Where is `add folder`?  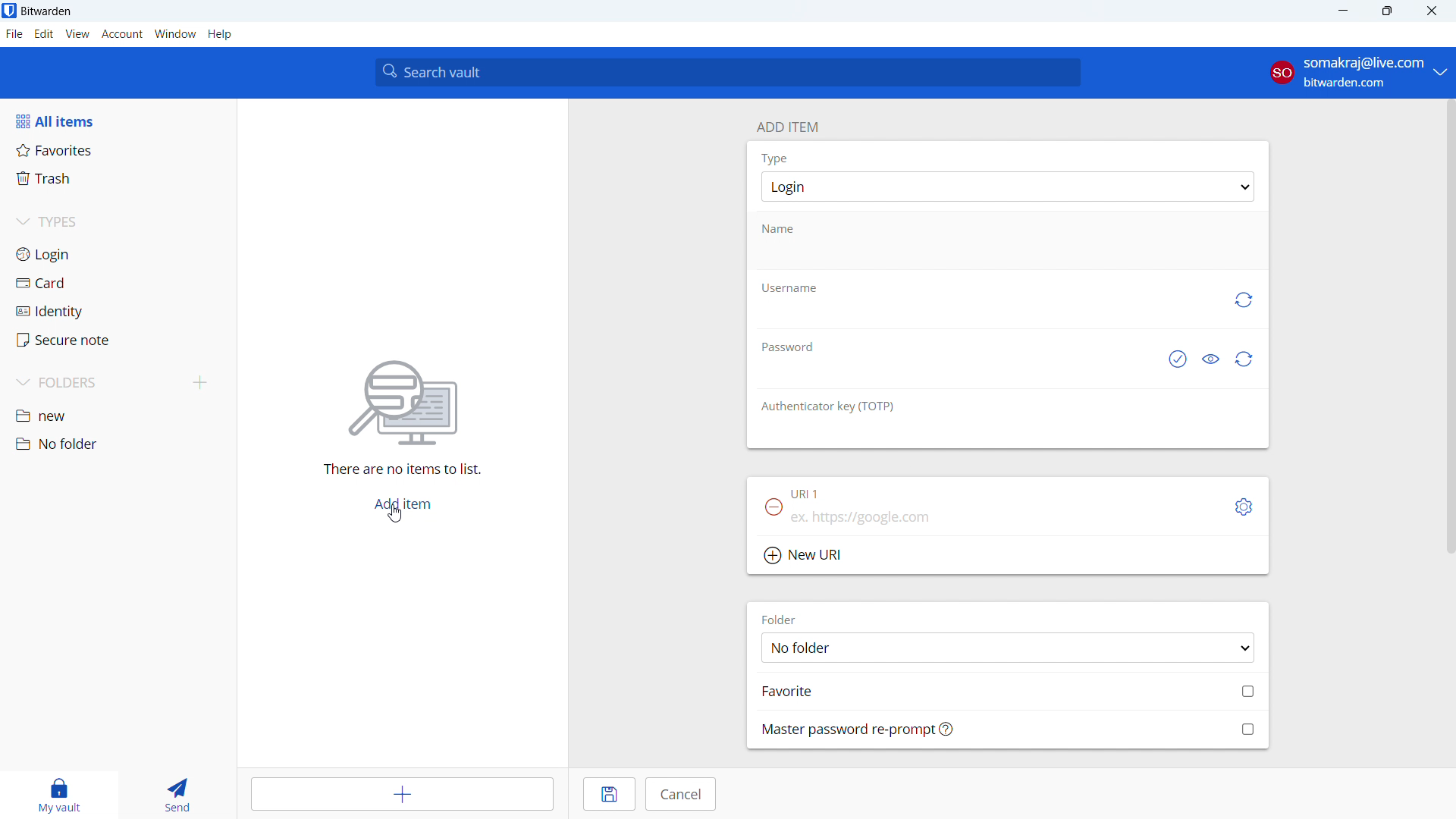
add folder is located at coordinates (200, 384).